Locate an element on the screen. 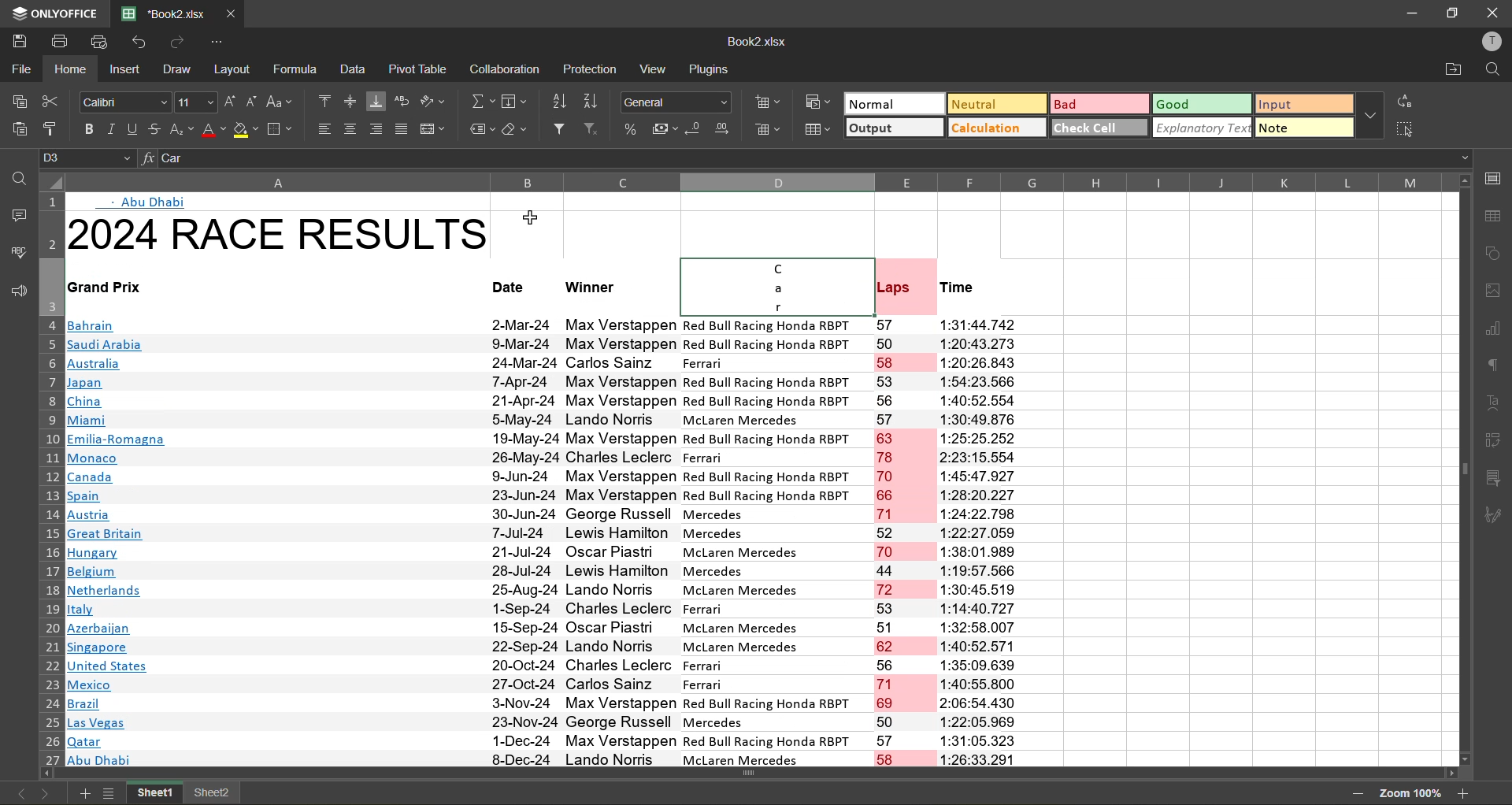  explanatory text is located at coordinates (1204, 127).